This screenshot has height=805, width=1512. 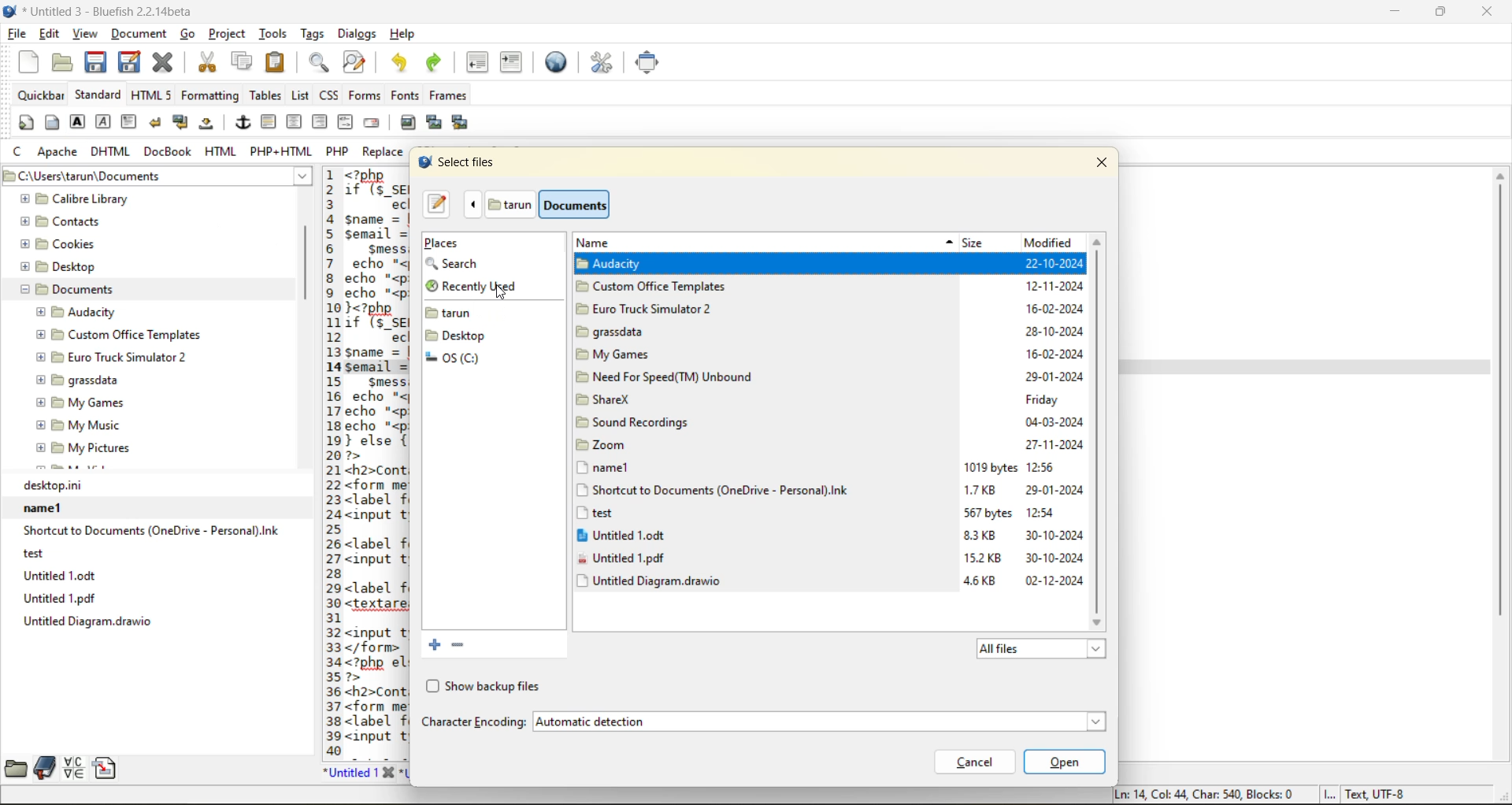 I want to click on folders, so click(x=462, y=347).